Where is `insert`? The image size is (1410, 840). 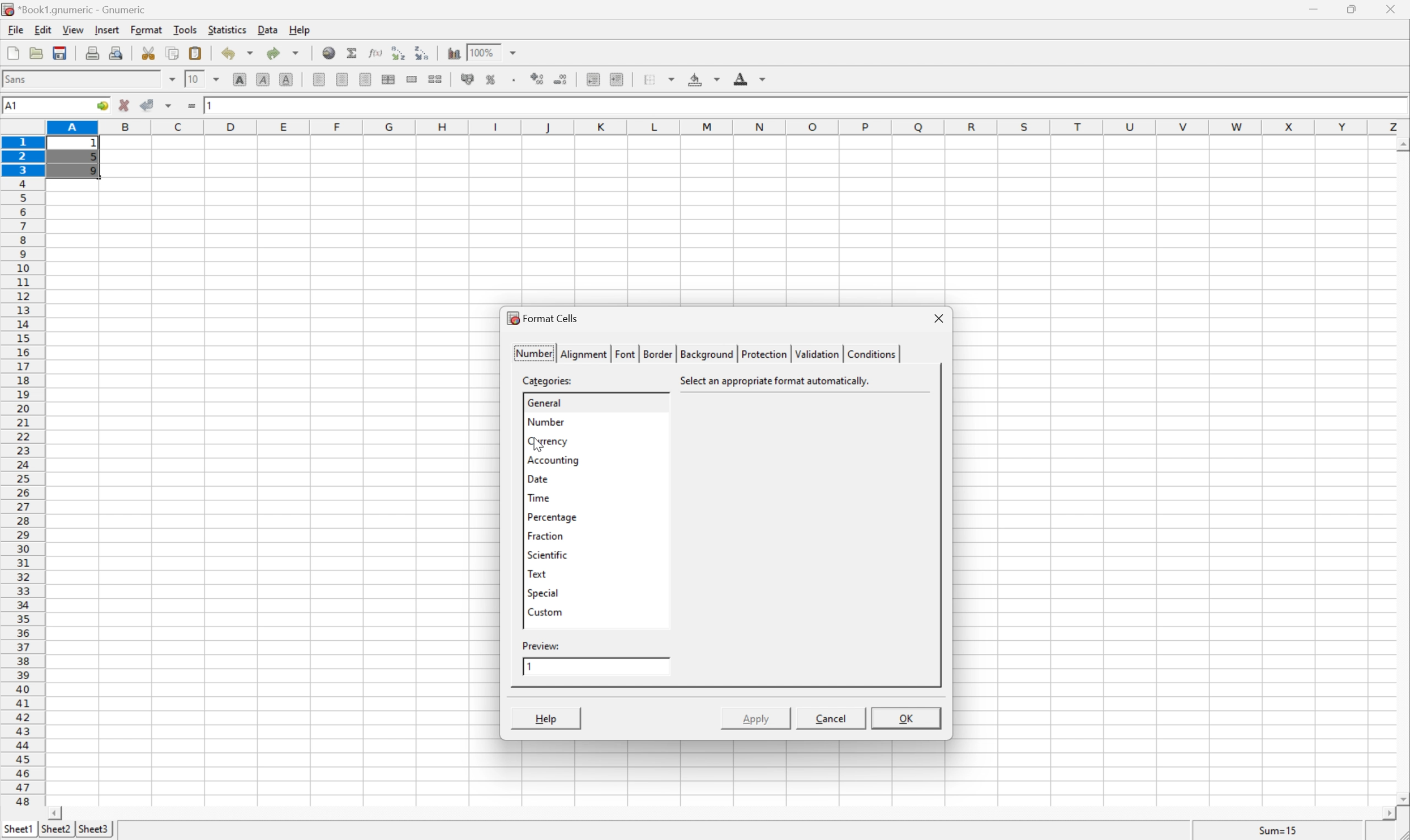
insert is located at coordinates (106, 28).